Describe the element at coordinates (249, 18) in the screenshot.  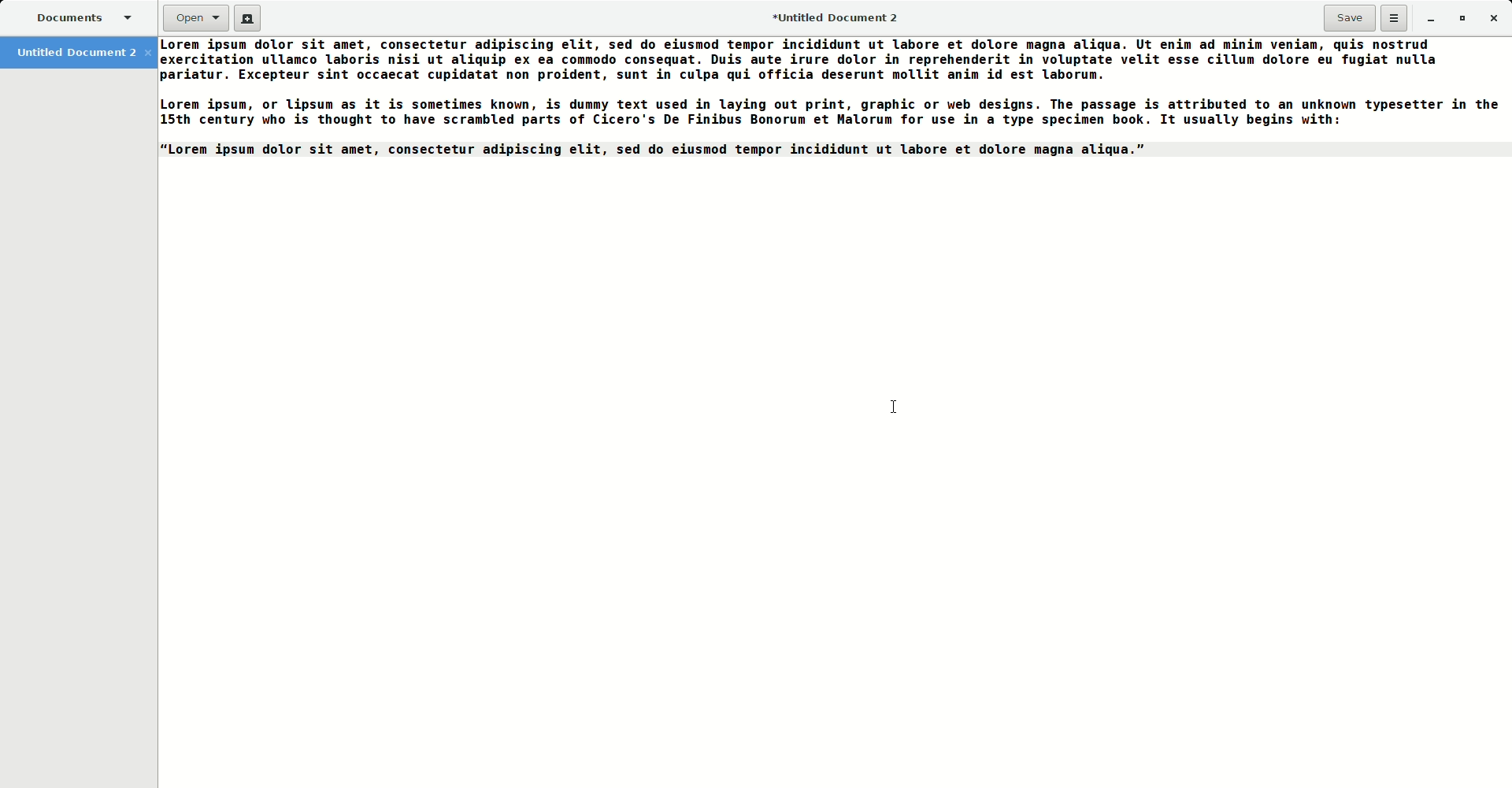
I see `New` at that location.